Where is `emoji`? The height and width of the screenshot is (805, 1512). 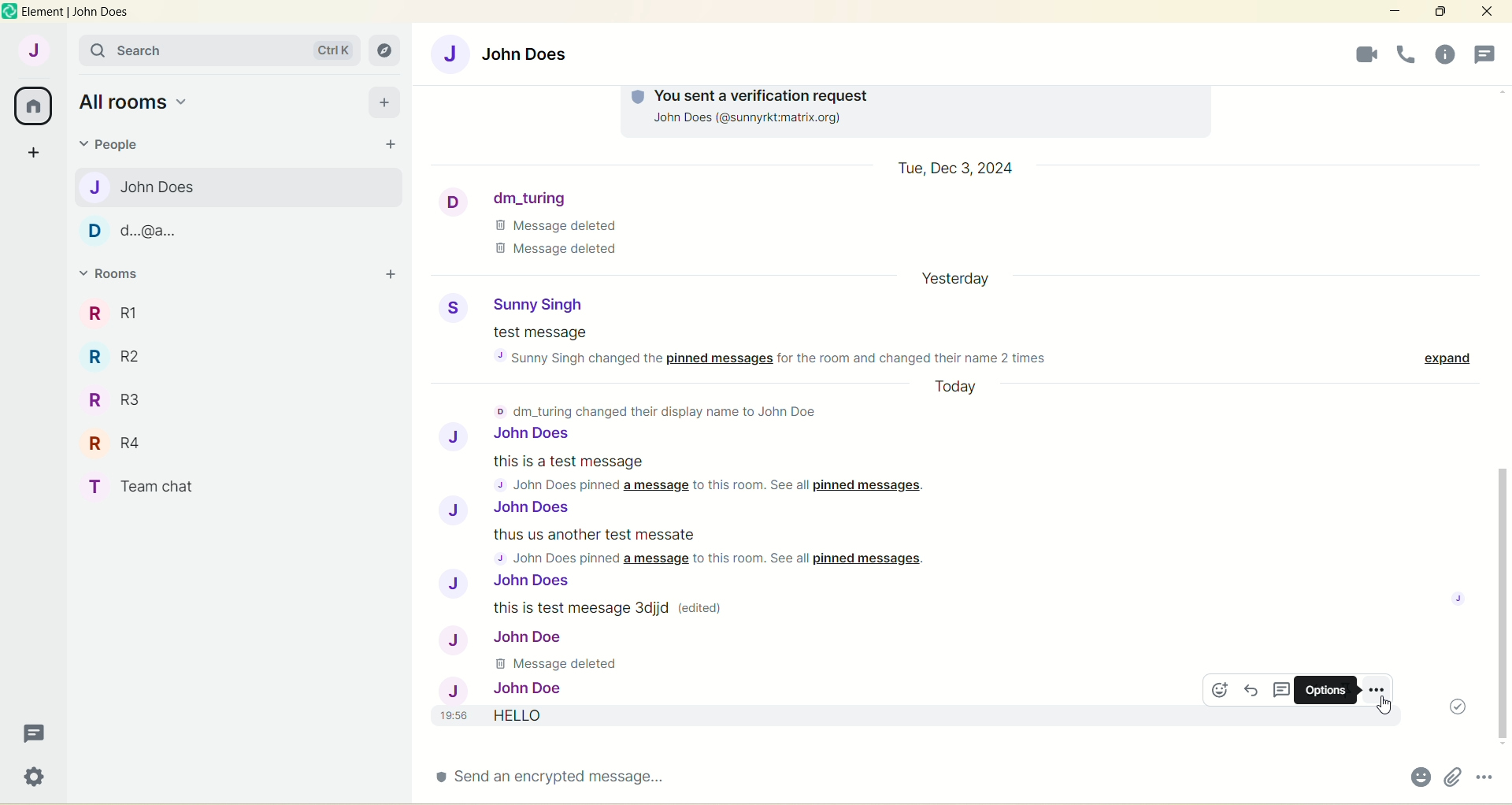
emoji is located at coordinates (1217, 690).